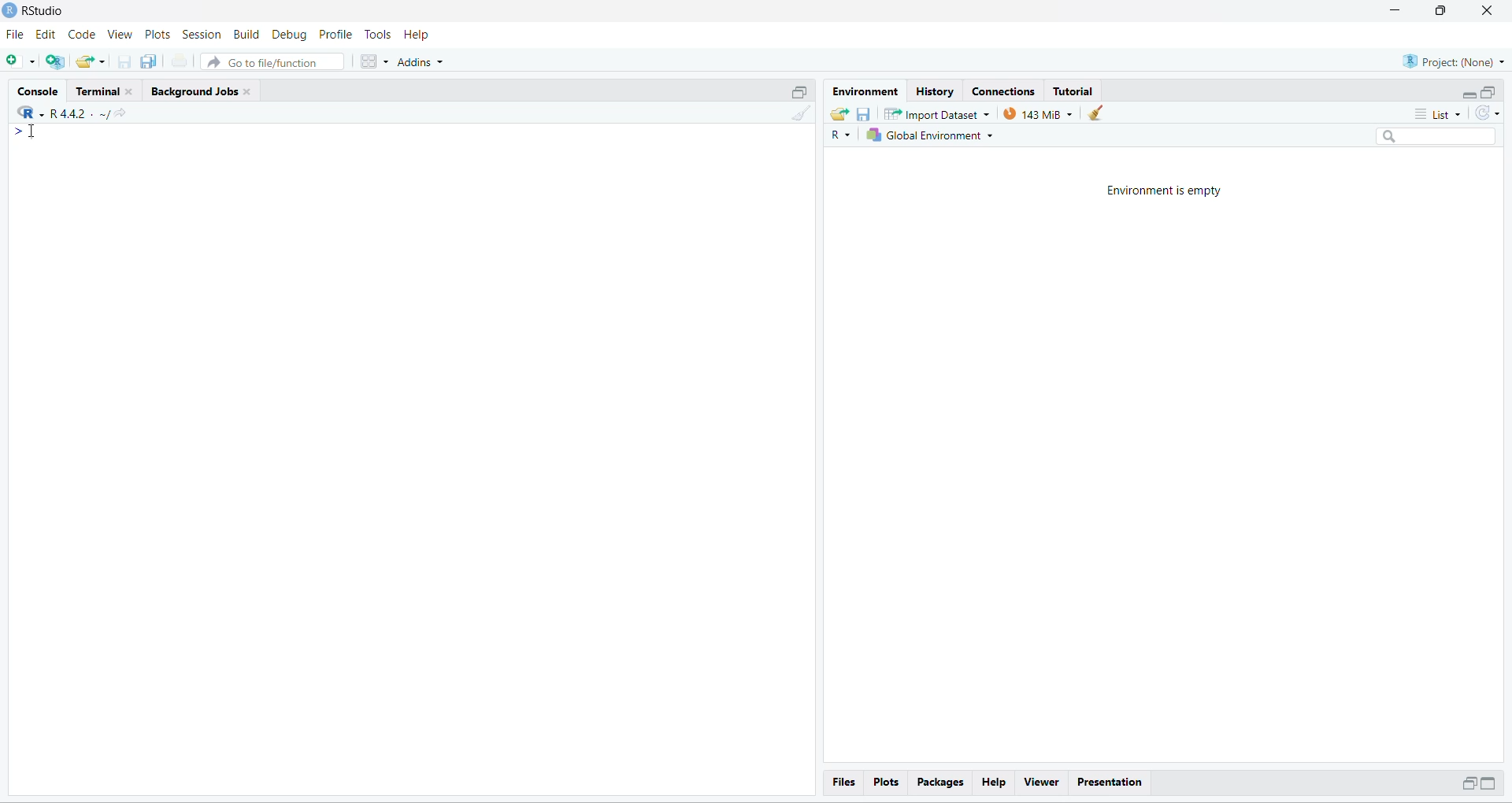 This screenshot has width=1512, height=803. What do you see at coordinates (98, 91) in the screenshot?
I see `terminal` at bounding box center [98, 91].